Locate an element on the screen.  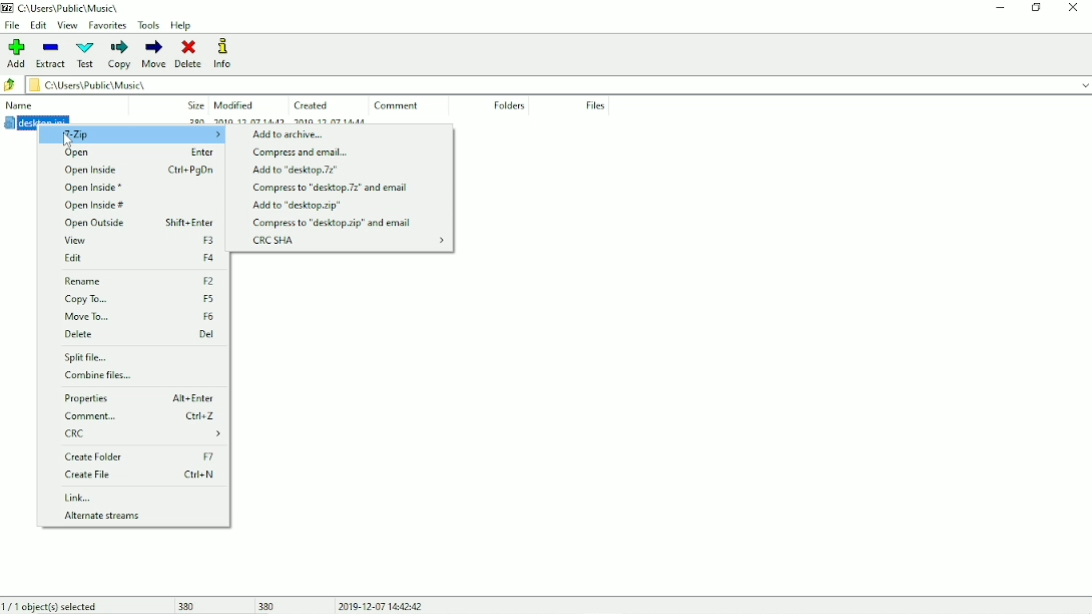
Add to "desktop.7z" is located at coordinates (297, 170).